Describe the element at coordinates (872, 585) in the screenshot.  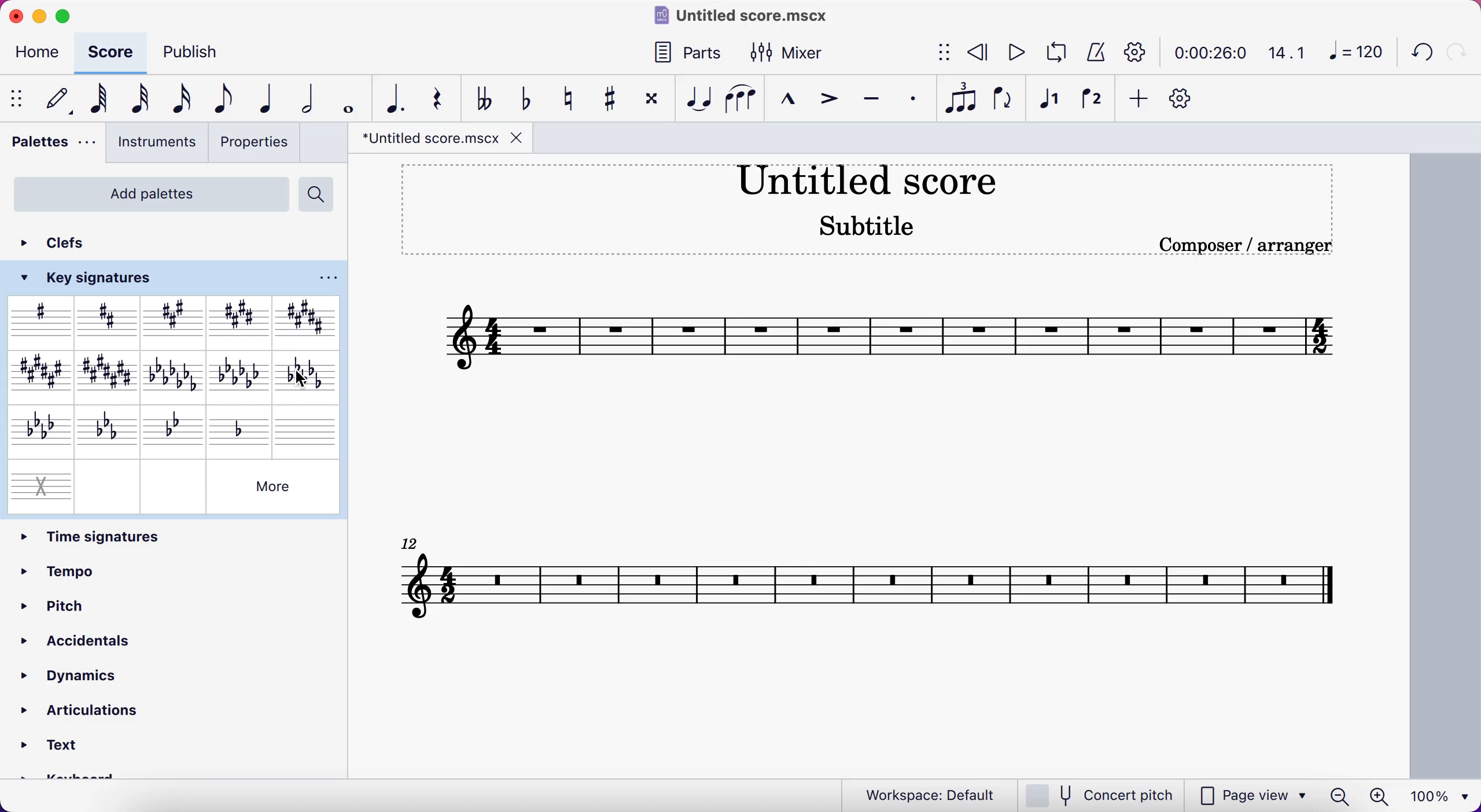
I see `score` at that location.